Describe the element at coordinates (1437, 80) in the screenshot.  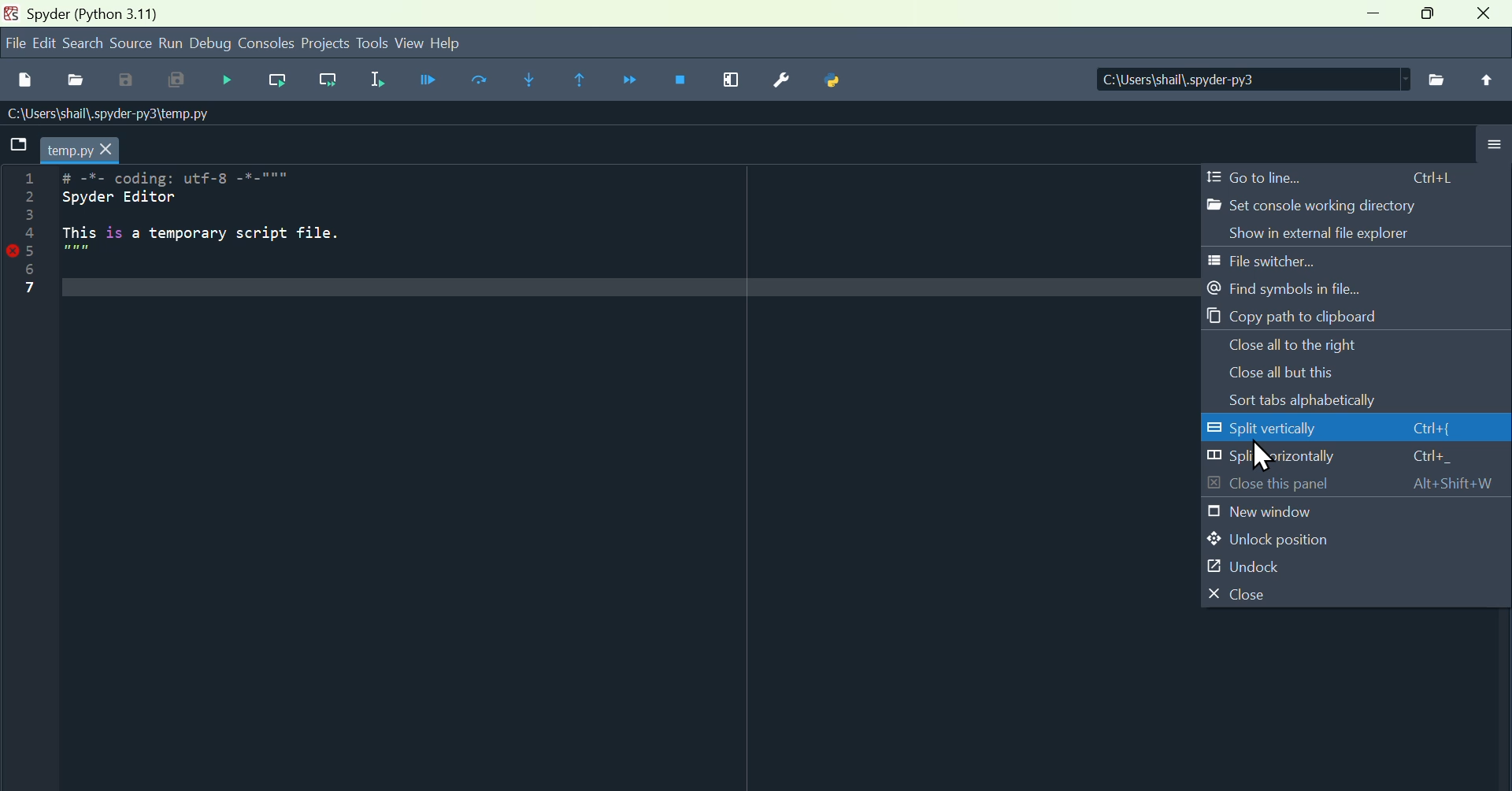
I see `File` at that location.